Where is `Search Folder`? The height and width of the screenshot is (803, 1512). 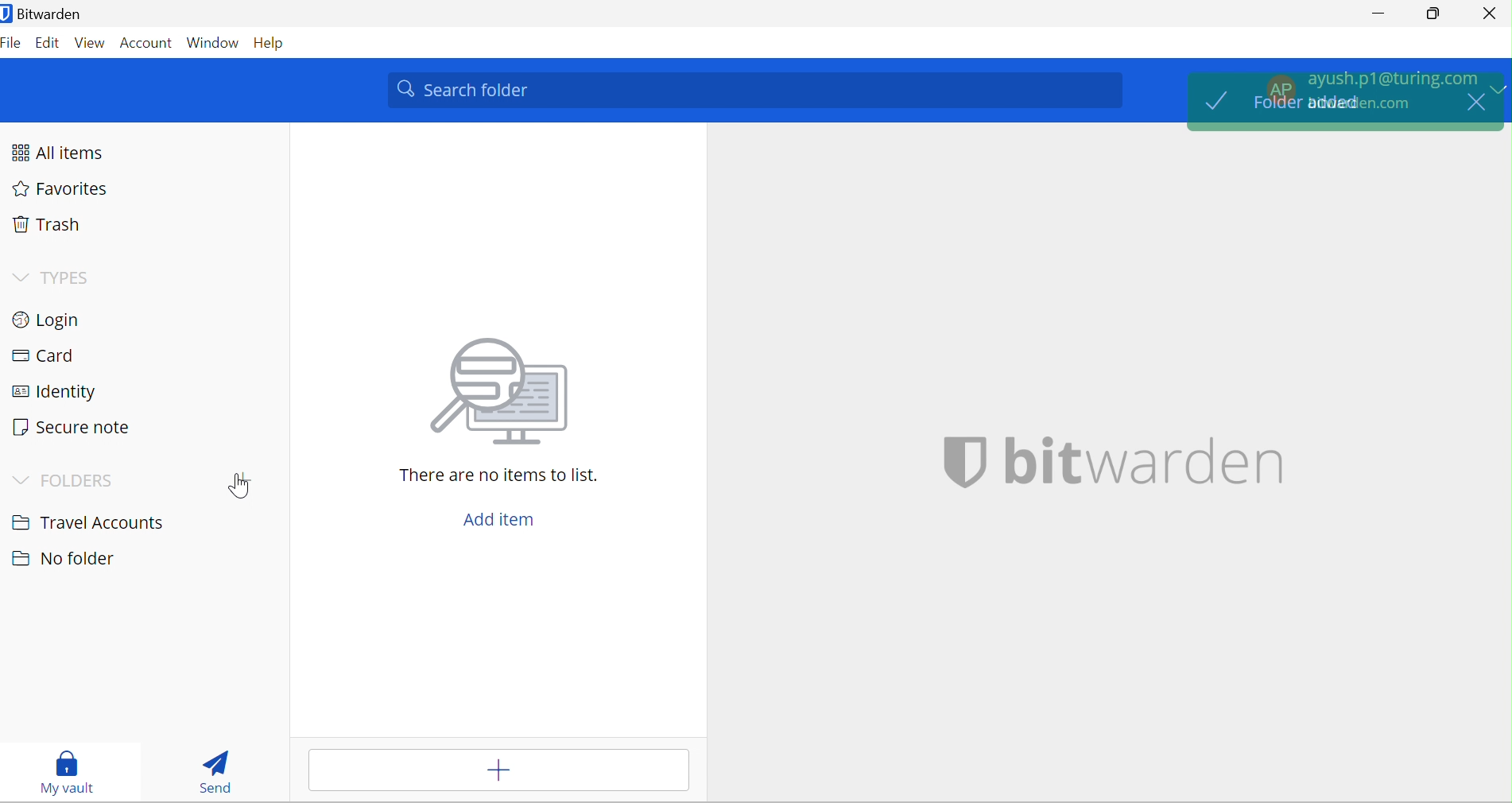
Search Folder is located at coordinates (754, 90).